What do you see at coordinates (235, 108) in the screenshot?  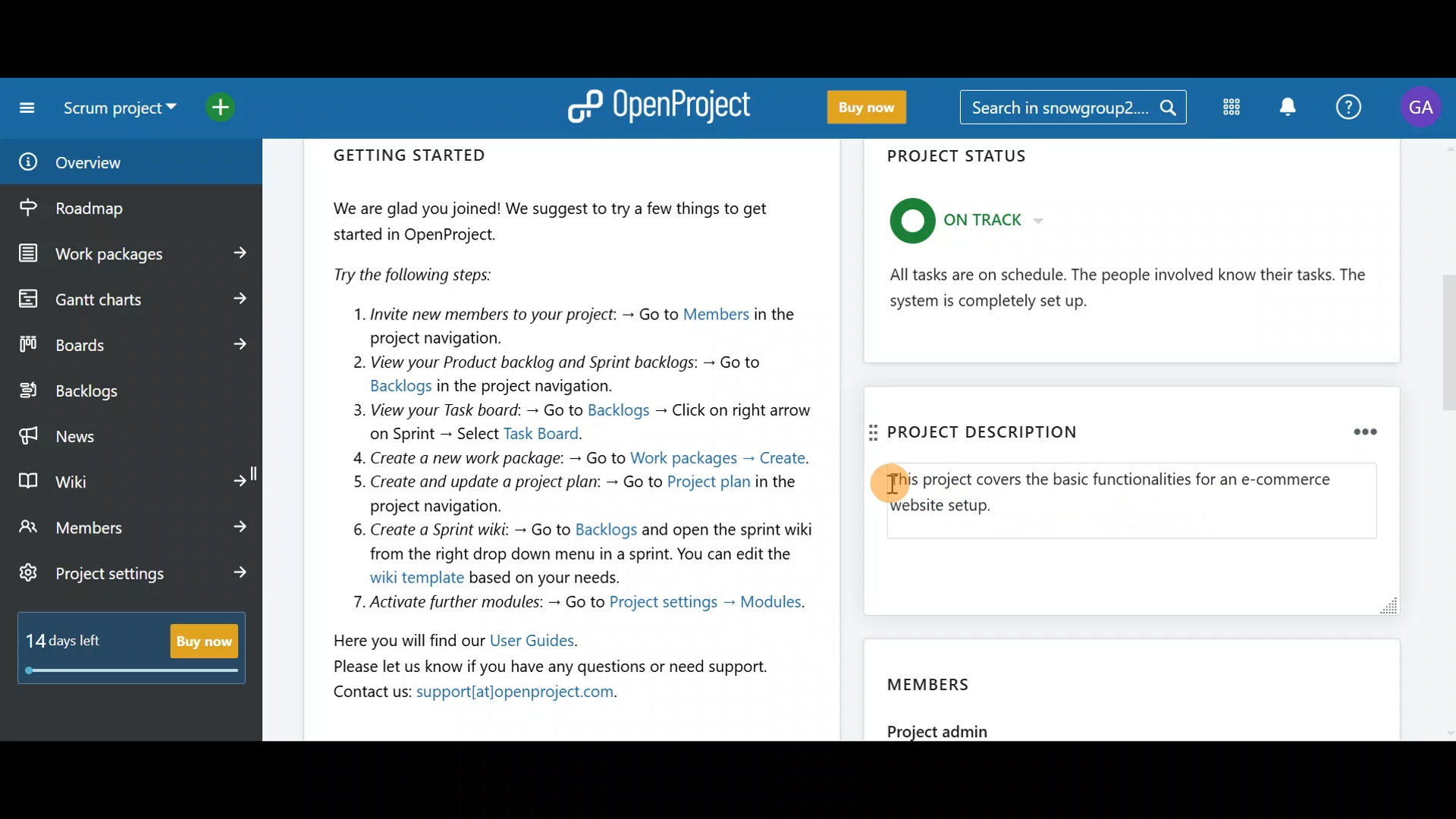 I see `Open quick add menu` at bounding box center [235, 108].